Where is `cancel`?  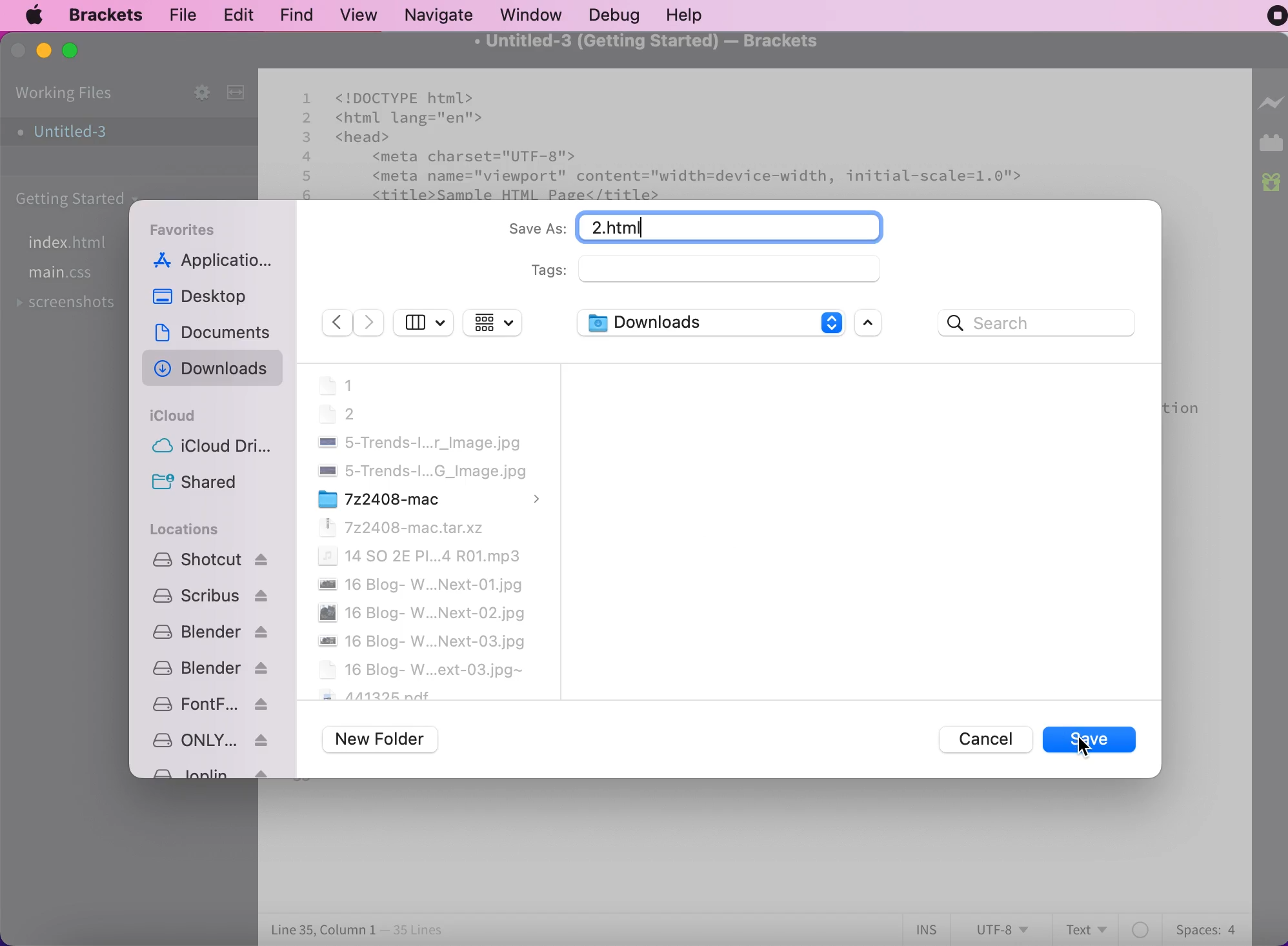
cancel is located at coordinates (983, 740).